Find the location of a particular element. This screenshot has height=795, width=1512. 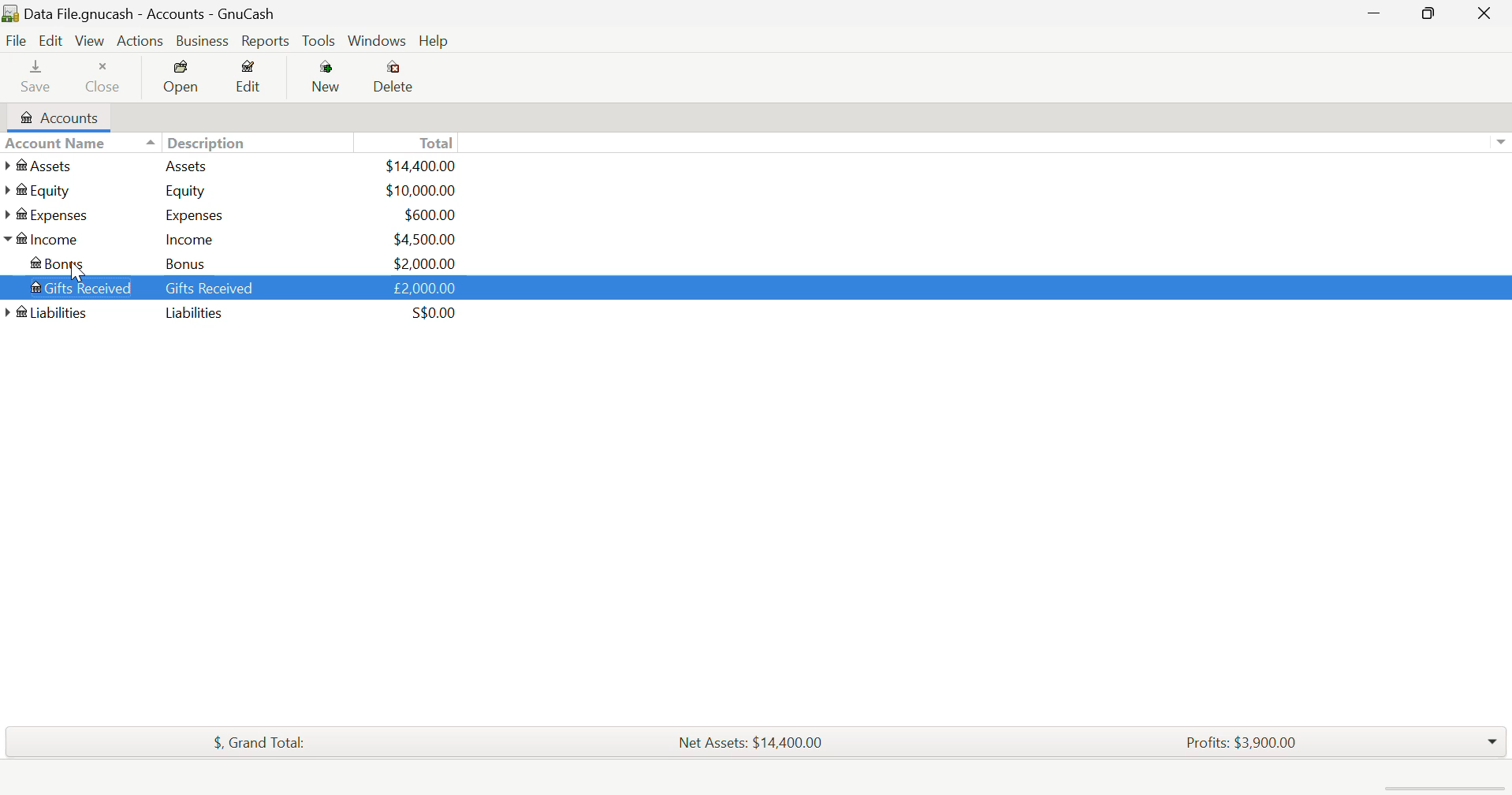

Gifts Received is located at coordinates (76, 285).